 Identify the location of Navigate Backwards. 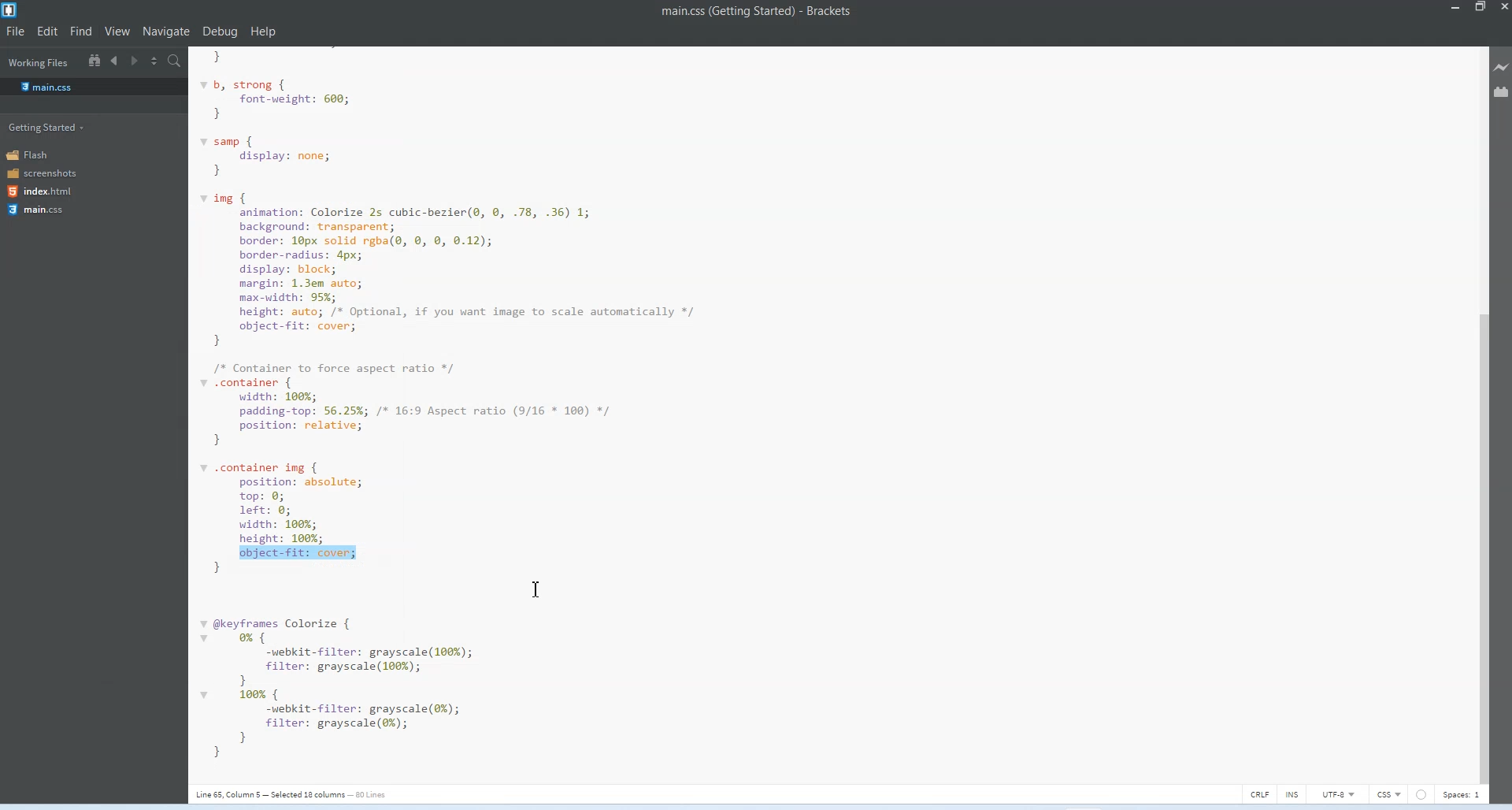
(114, 61).